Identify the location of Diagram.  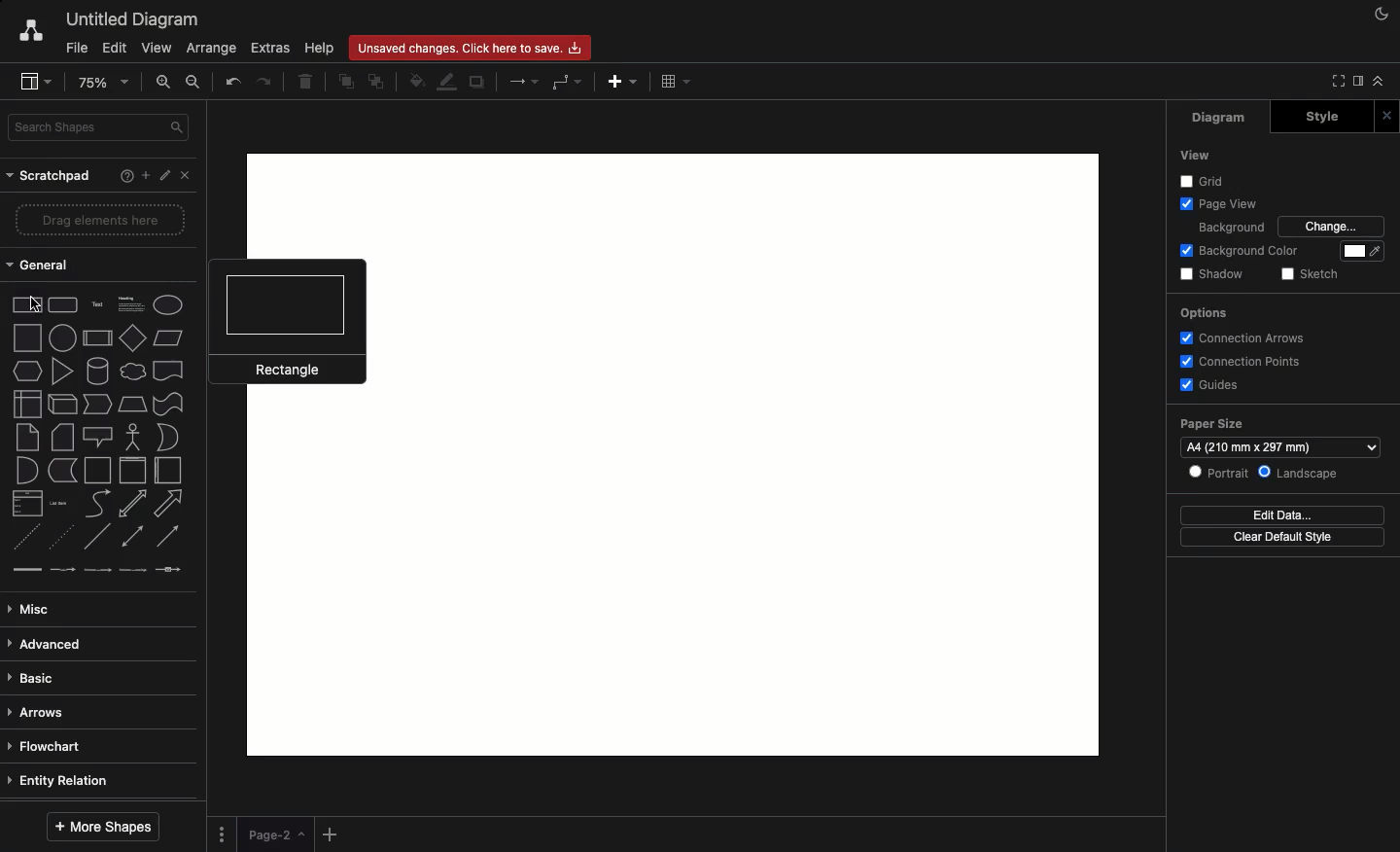
(1210, 118).